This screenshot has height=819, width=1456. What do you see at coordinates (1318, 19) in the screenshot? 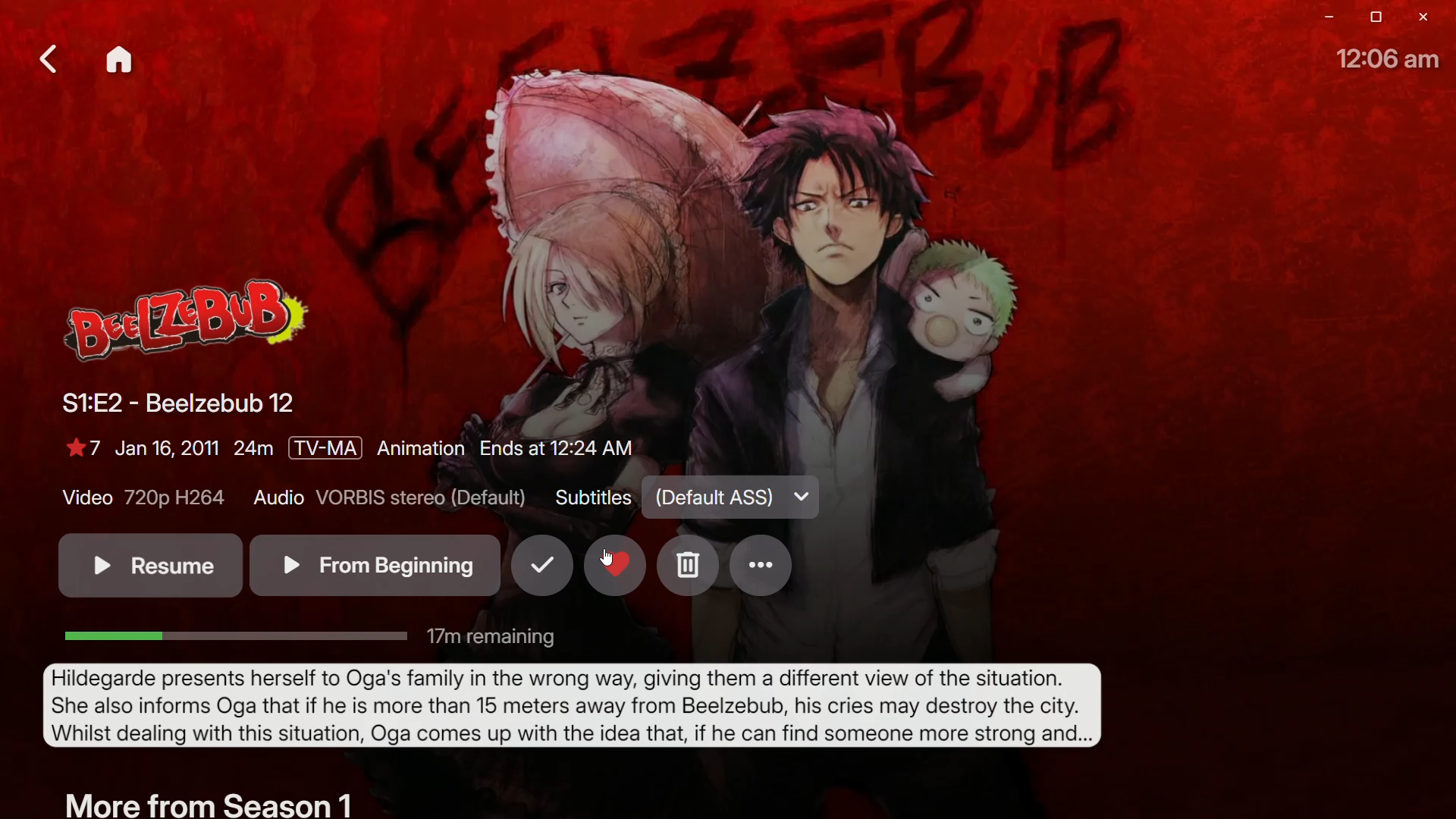
I see `minimize` at bounding box center [1318, 19].